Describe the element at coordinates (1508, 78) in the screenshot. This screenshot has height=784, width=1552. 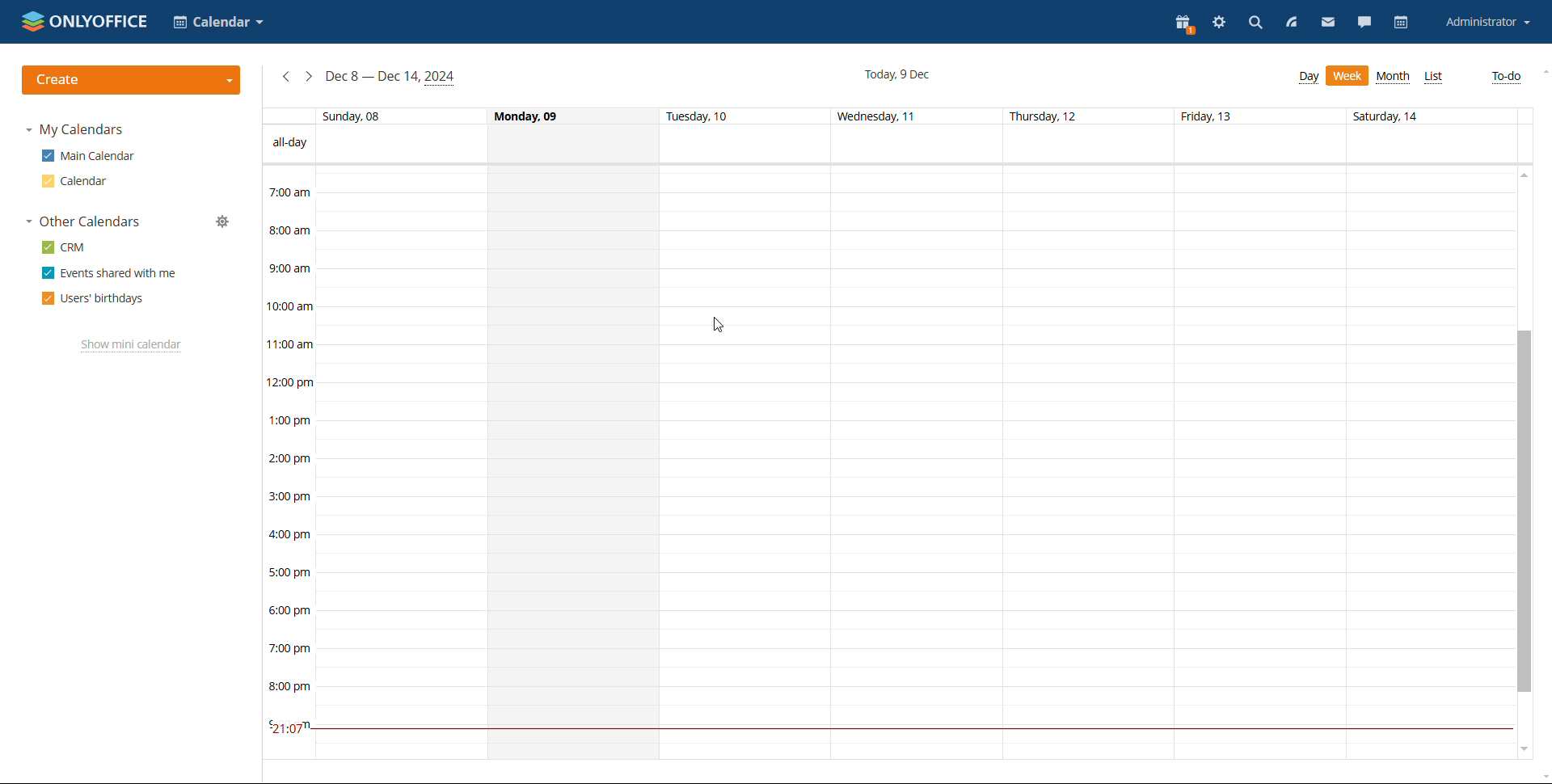
I see `to-do` at that location.